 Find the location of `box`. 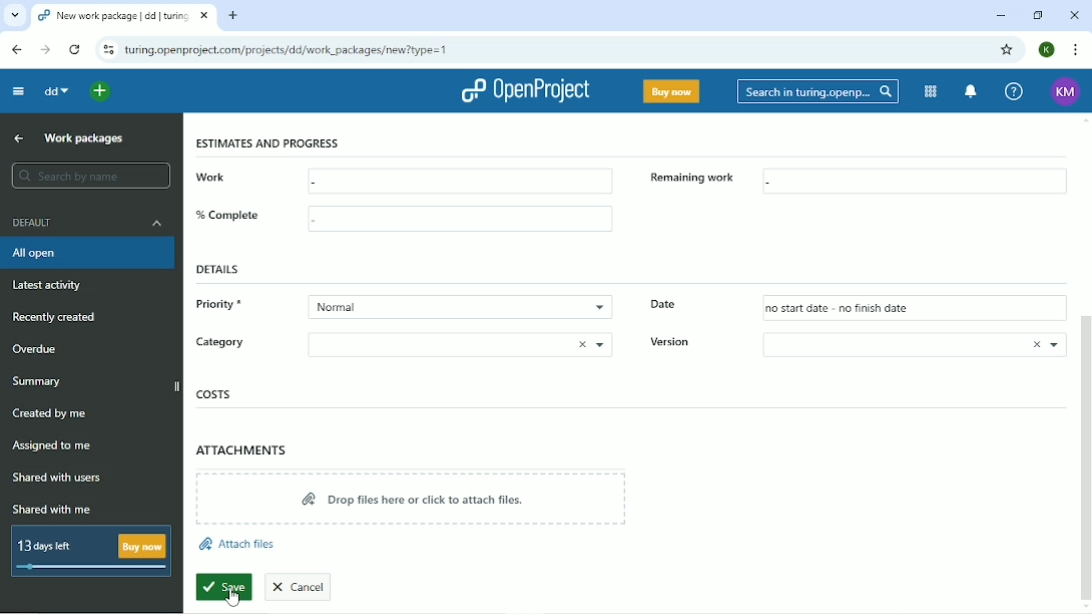

box is located at coordinates (465, 181).